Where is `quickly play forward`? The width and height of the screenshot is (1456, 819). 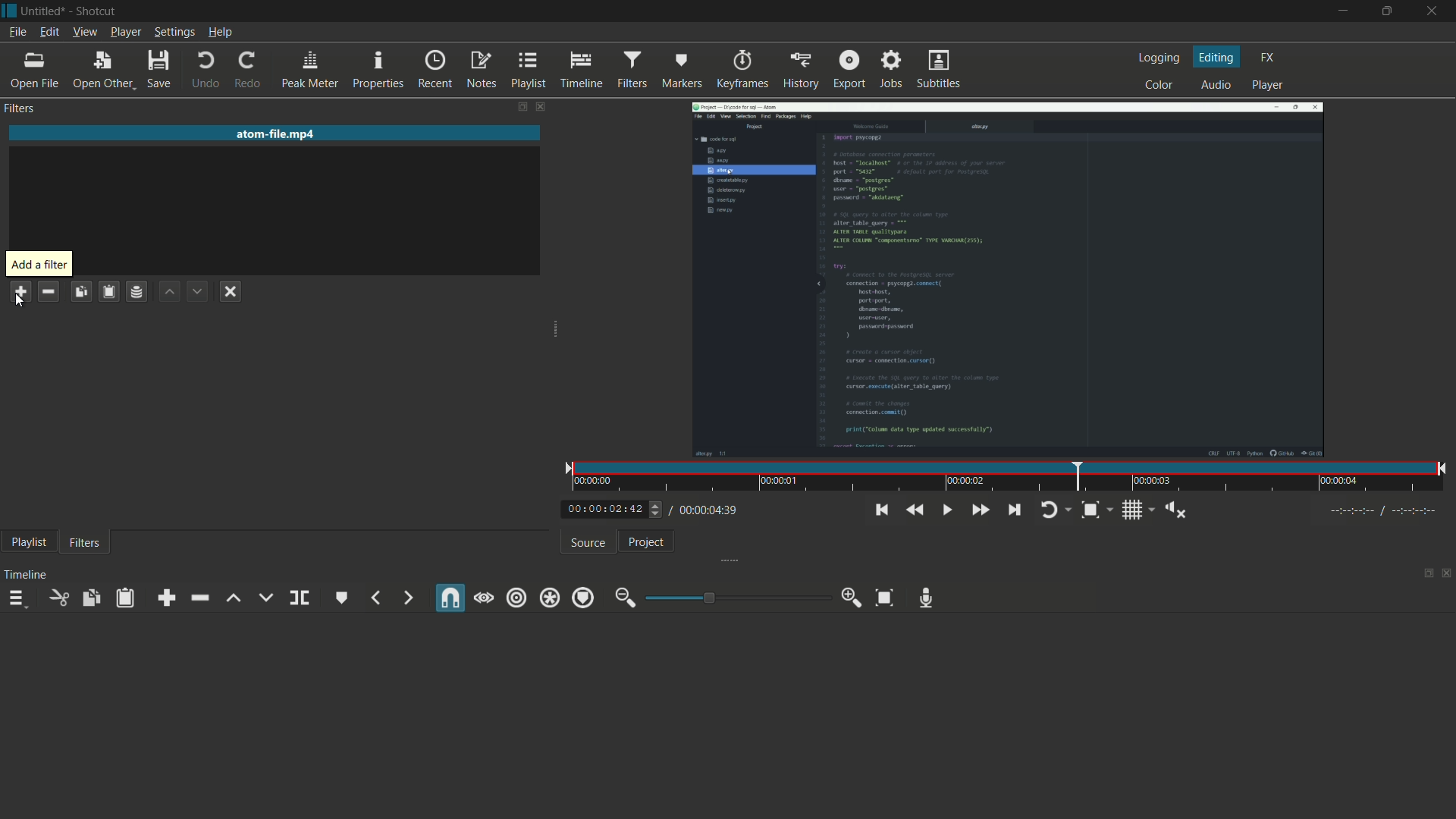
quickly play forward is located at coordinates (981, 510).